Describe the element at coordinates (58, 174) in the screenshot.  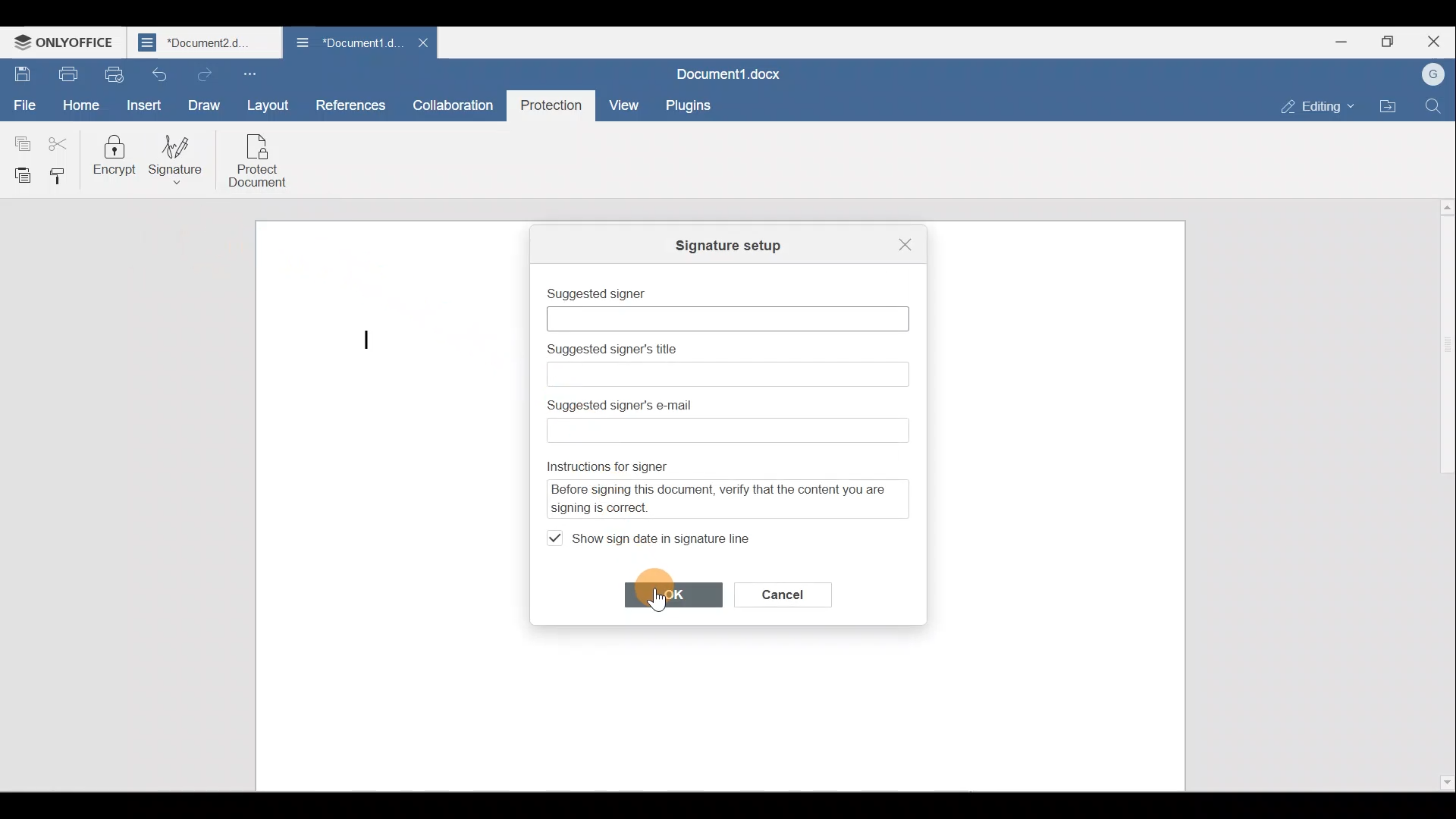
I see `Copy style` at that location.